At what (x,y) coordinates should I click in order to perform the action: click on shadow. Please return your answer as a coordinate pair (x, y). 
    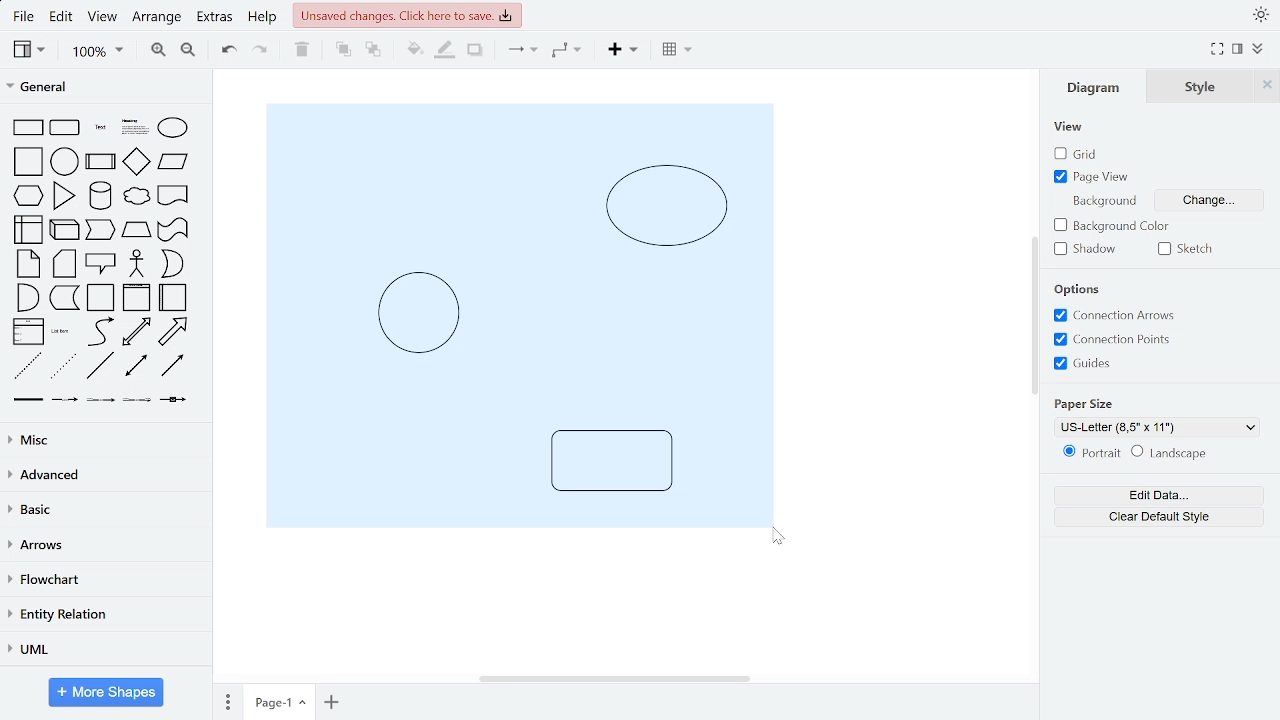
    Looking at the image, I should click on (1088, 250).